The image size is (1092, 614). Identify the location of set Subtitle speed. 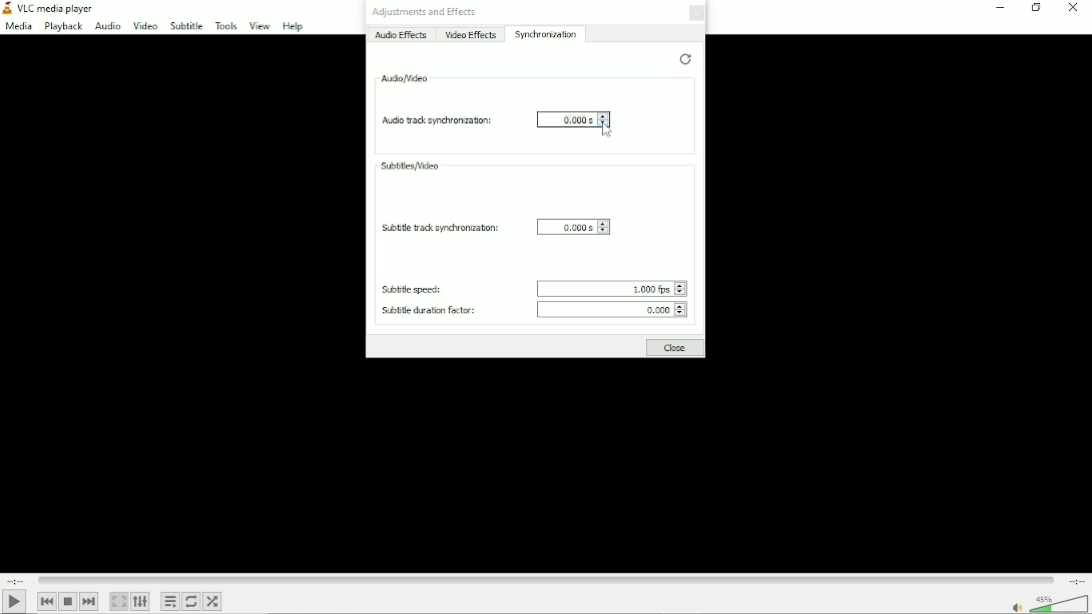
(605, 288).